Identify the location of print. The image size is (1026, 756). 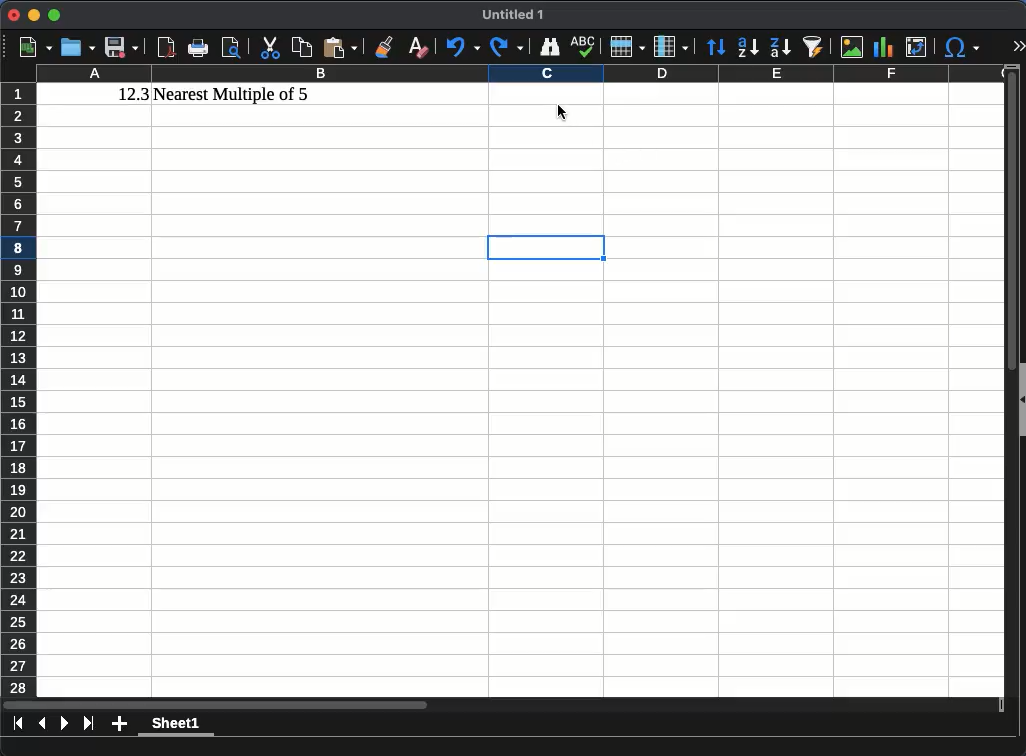
(199, 48).